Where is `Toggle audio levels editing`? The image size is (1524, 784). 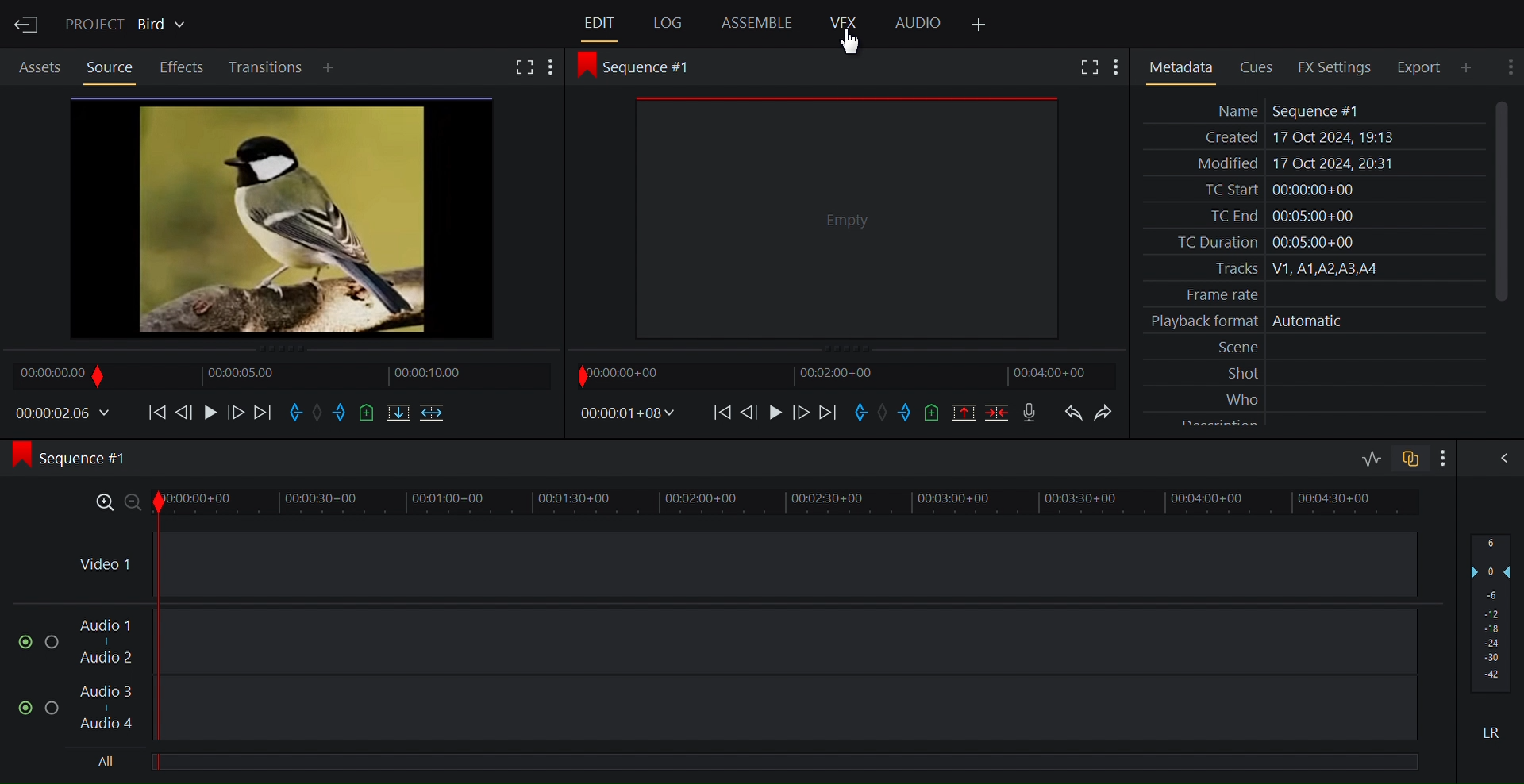 Toggle audio levels editing is located at coordinates (1370, 458).